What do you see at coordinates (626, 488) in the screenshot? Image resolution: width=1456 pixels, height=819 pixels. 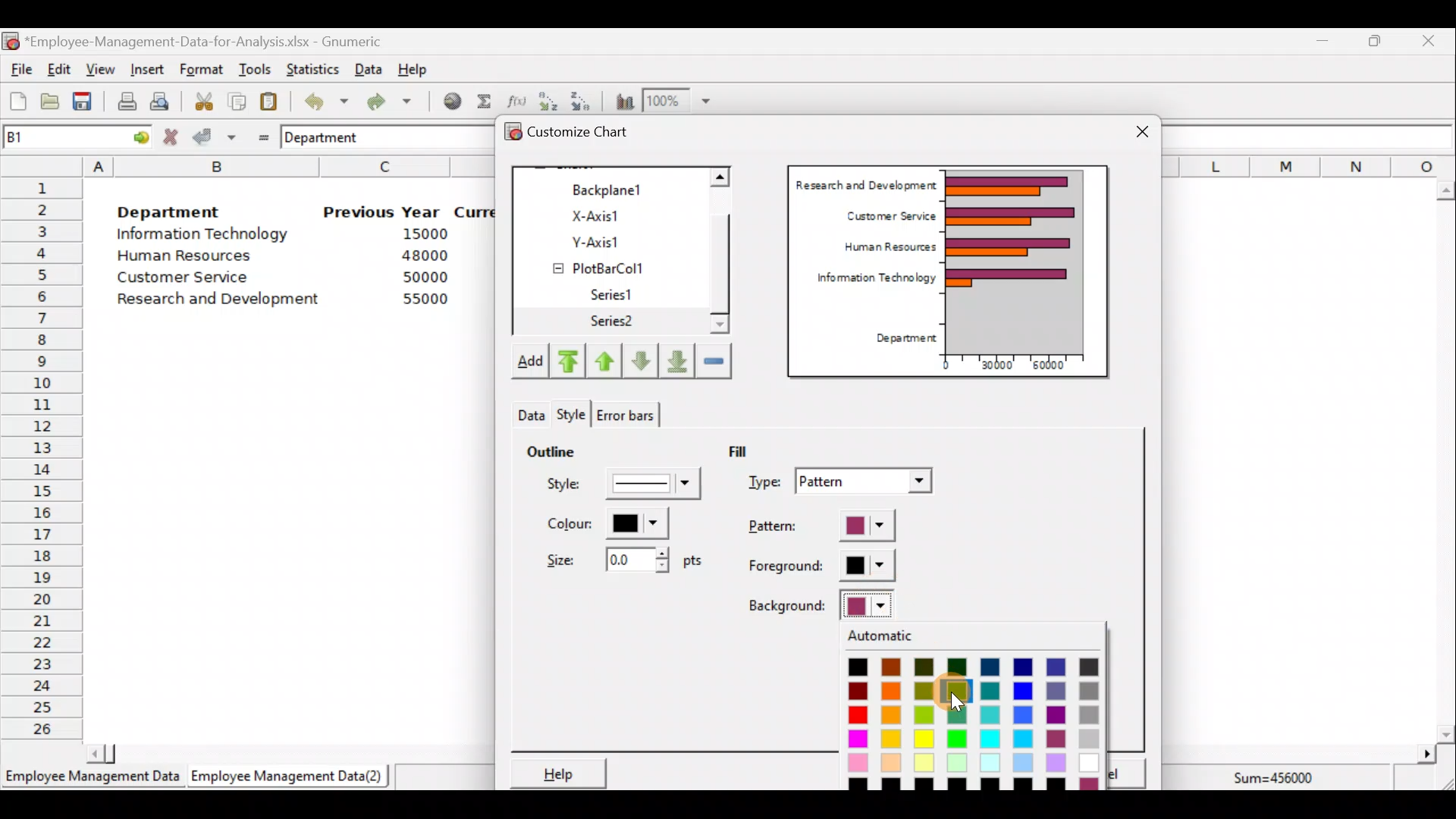 I see `Style` at bounding box center [626, 488].